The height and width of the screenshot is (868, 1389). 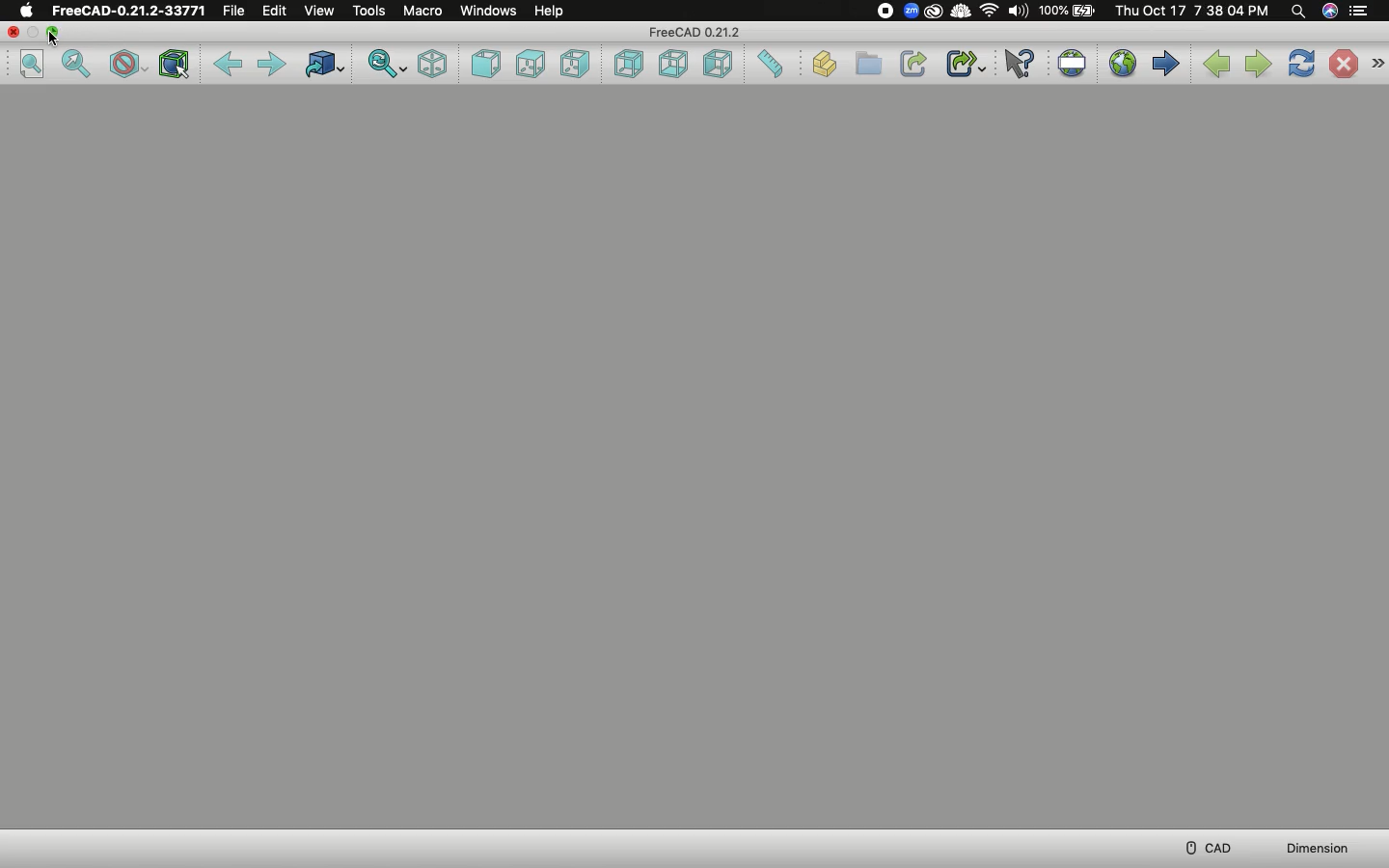 What do you see at coordinates (1164, 64) in the screenshot?
I see `Start page` at bounding box center [1164, 64].